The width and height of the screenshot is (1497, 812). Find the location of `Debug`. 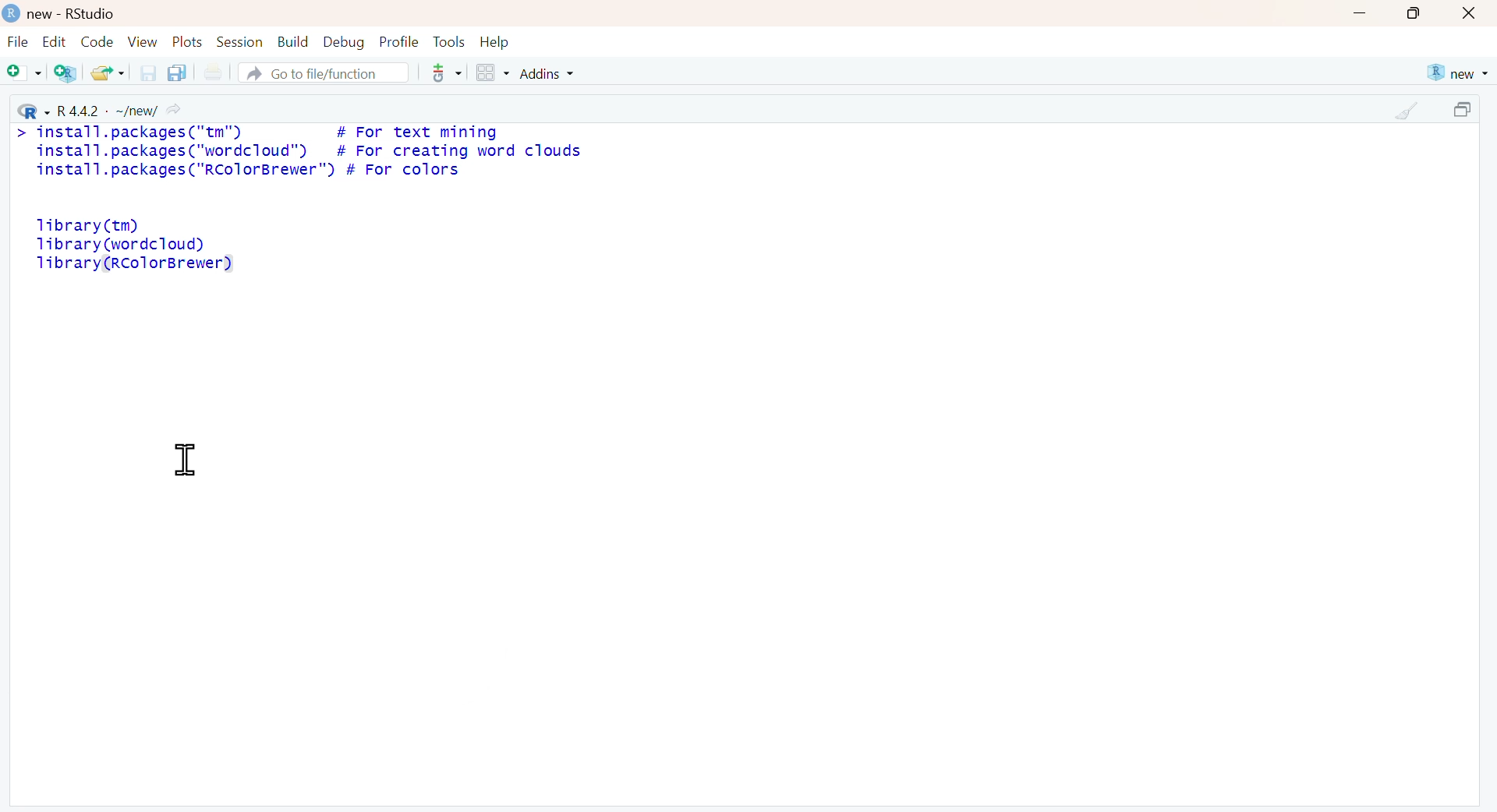

Debug is located at coordinates (345, 44).